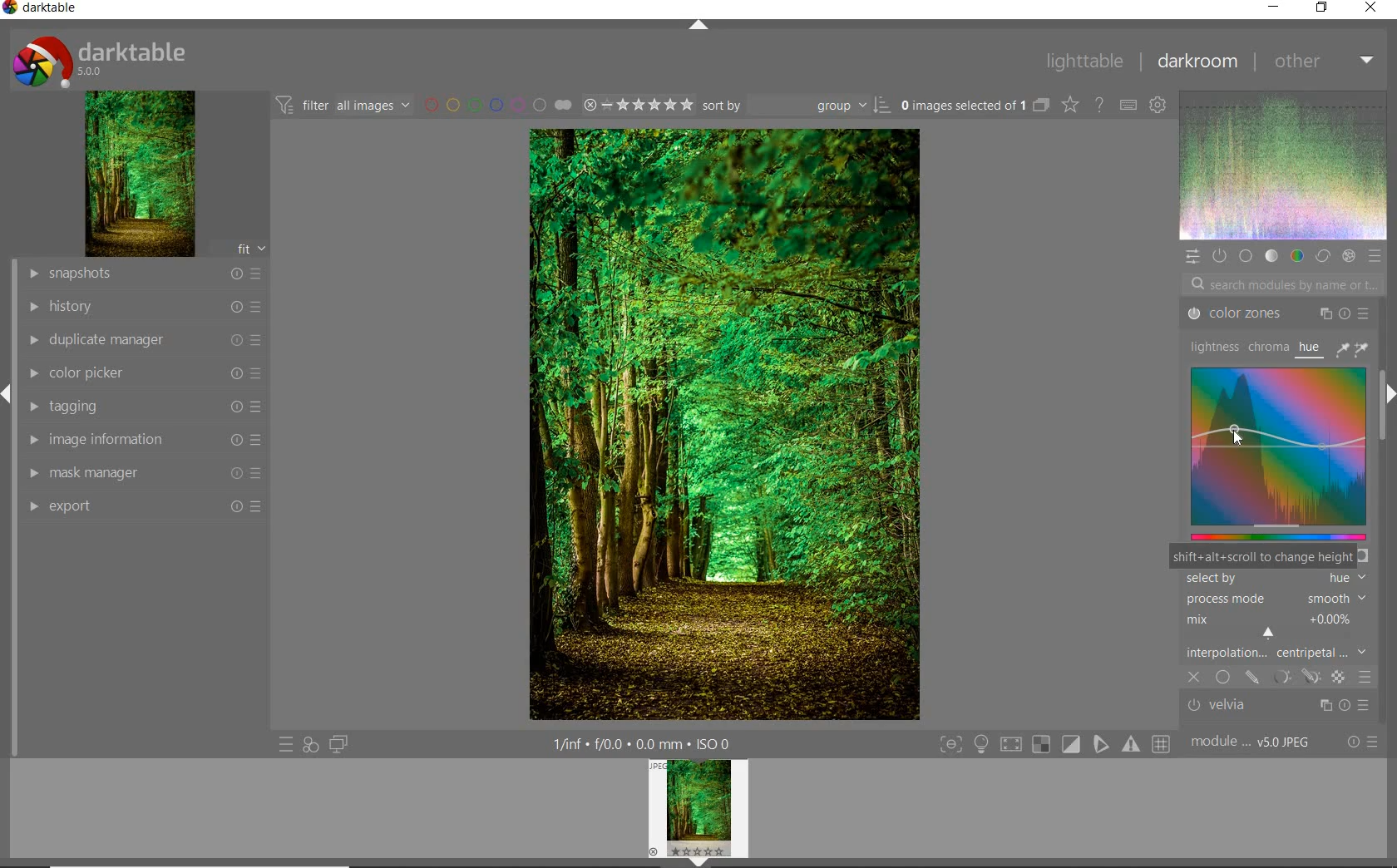 The height and width of the screenshot is (868, 1397). What do you see at coordinates (1085, 62) in the screenshot?
I see `LIGHTTABLE` at bounding box center [1085, 62].